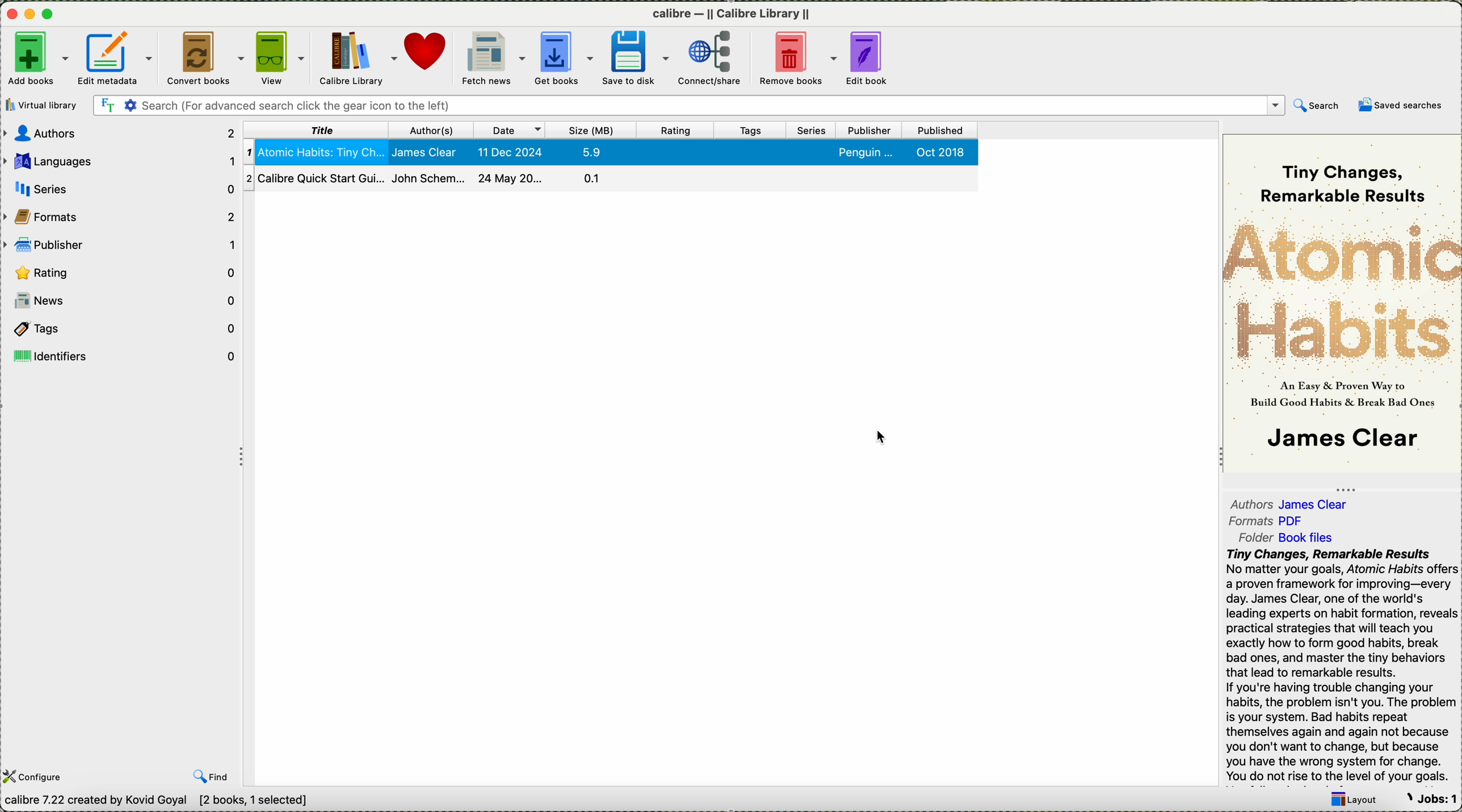 The image size is (1462, 812). What do you see at coordinates (752, 129) in the screenshot?
I see `tags` at bounding box center [752, 129].